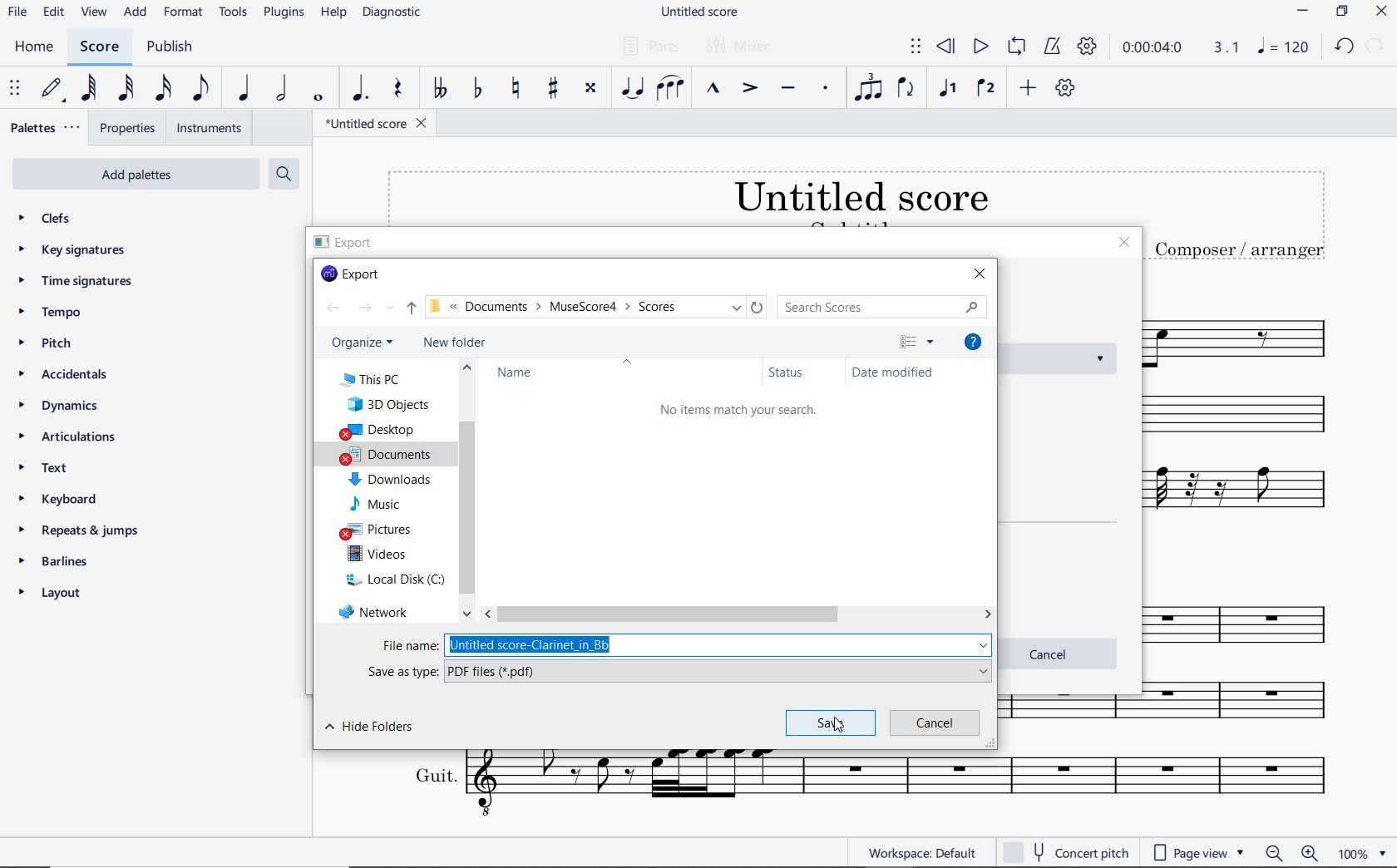 This screenshot has height=868, width=1397. I want to click on 64TH NOTE, so click(89, 90).